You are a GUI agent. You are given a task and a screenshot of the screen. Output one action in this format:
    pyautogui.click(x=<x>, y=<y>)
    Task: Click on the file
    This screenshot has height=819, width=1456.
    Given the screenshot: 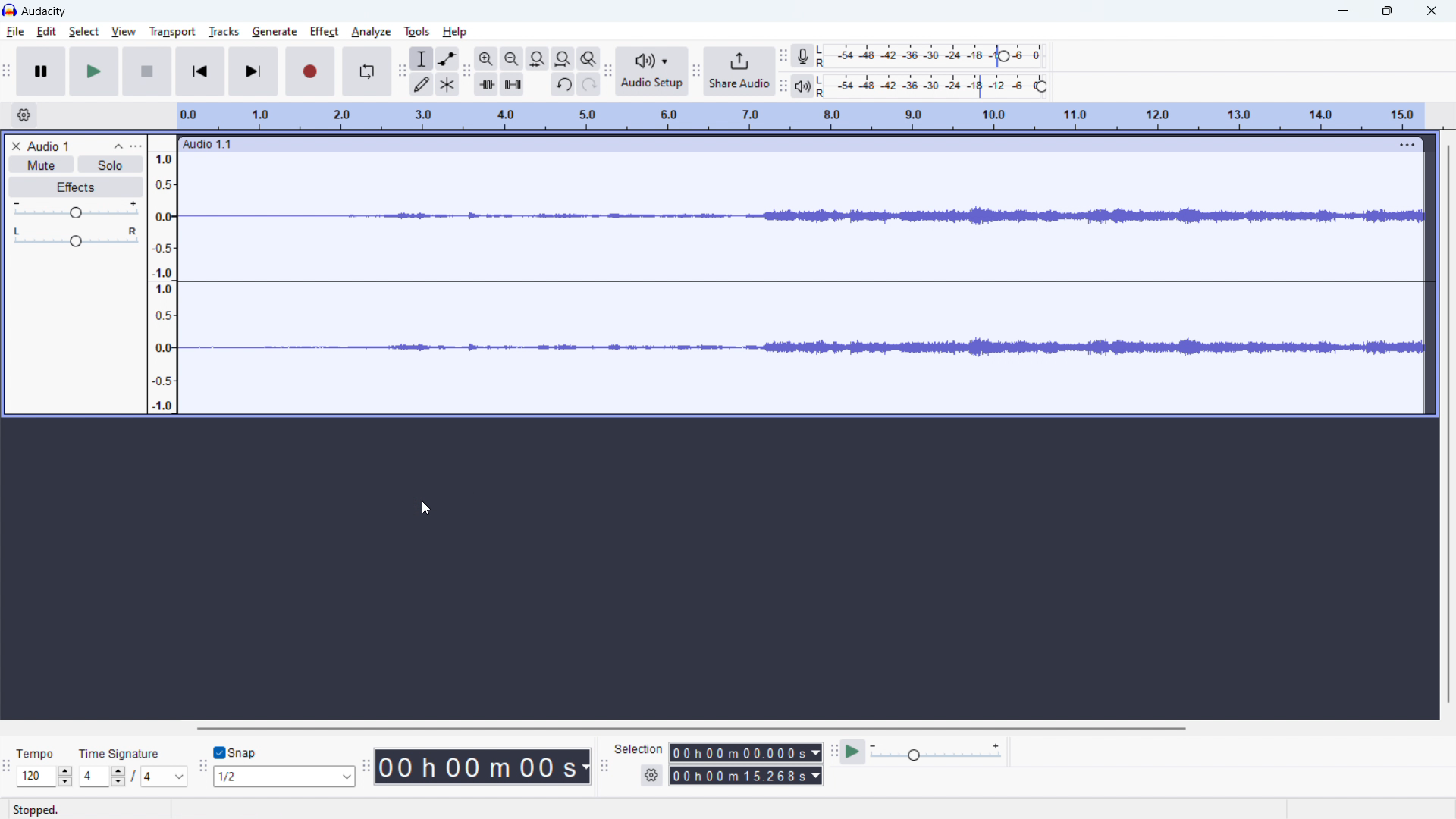 What is the action you would take?
    pyautogui.click(x=14, y=32)
    